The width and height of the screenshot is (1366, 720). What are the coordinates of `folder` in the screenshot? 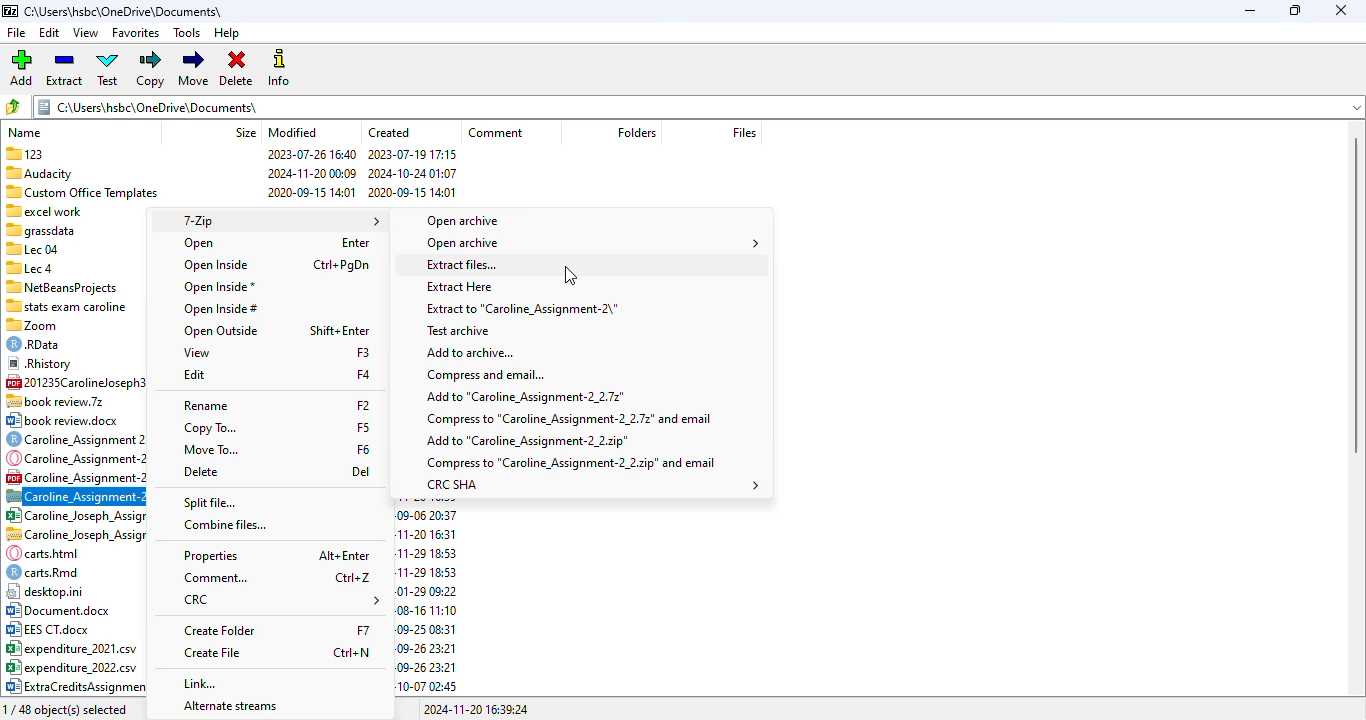 It's located at (696, 107).